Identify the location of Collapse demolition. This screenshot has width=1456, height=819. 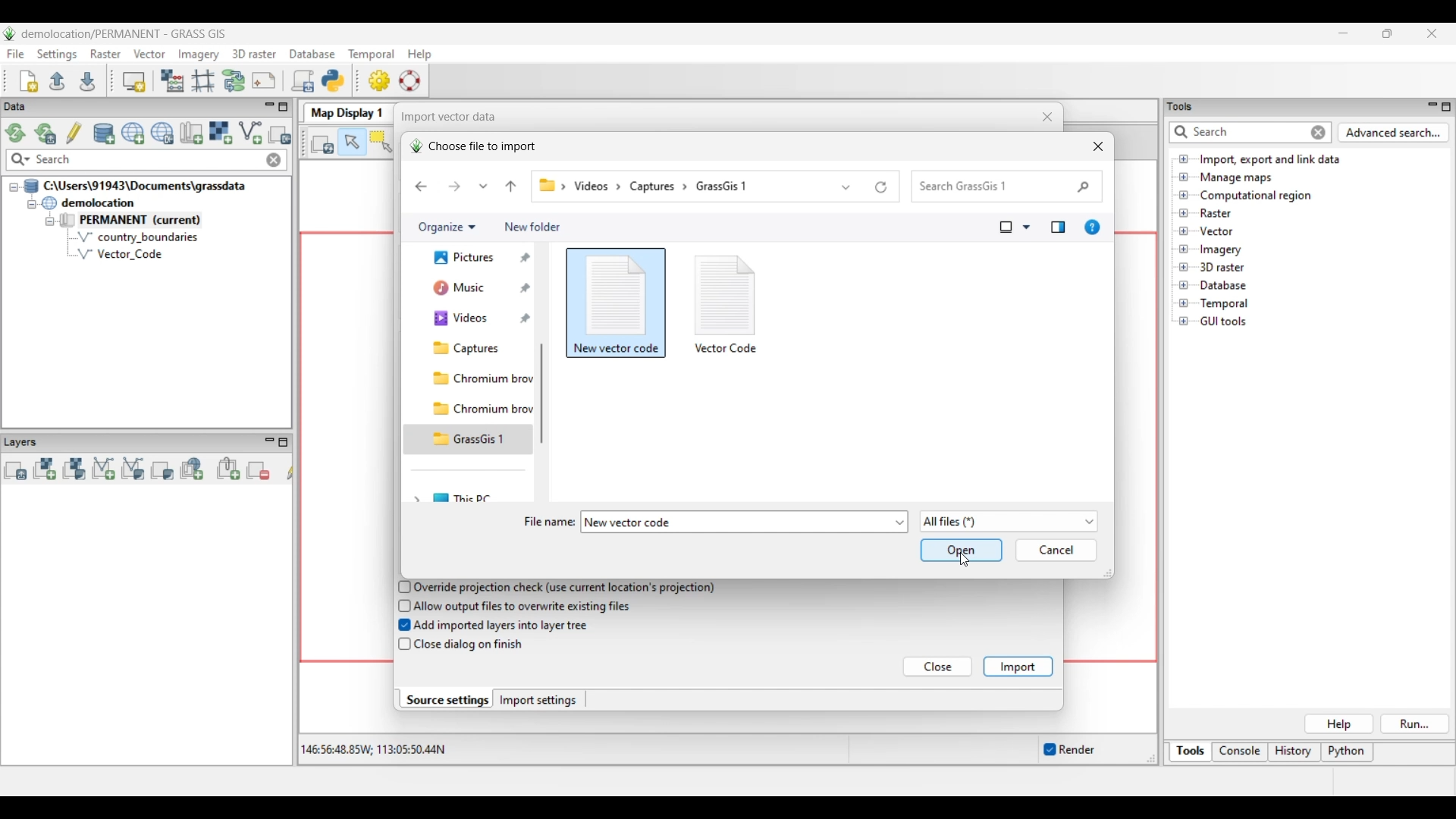
(31, 205).